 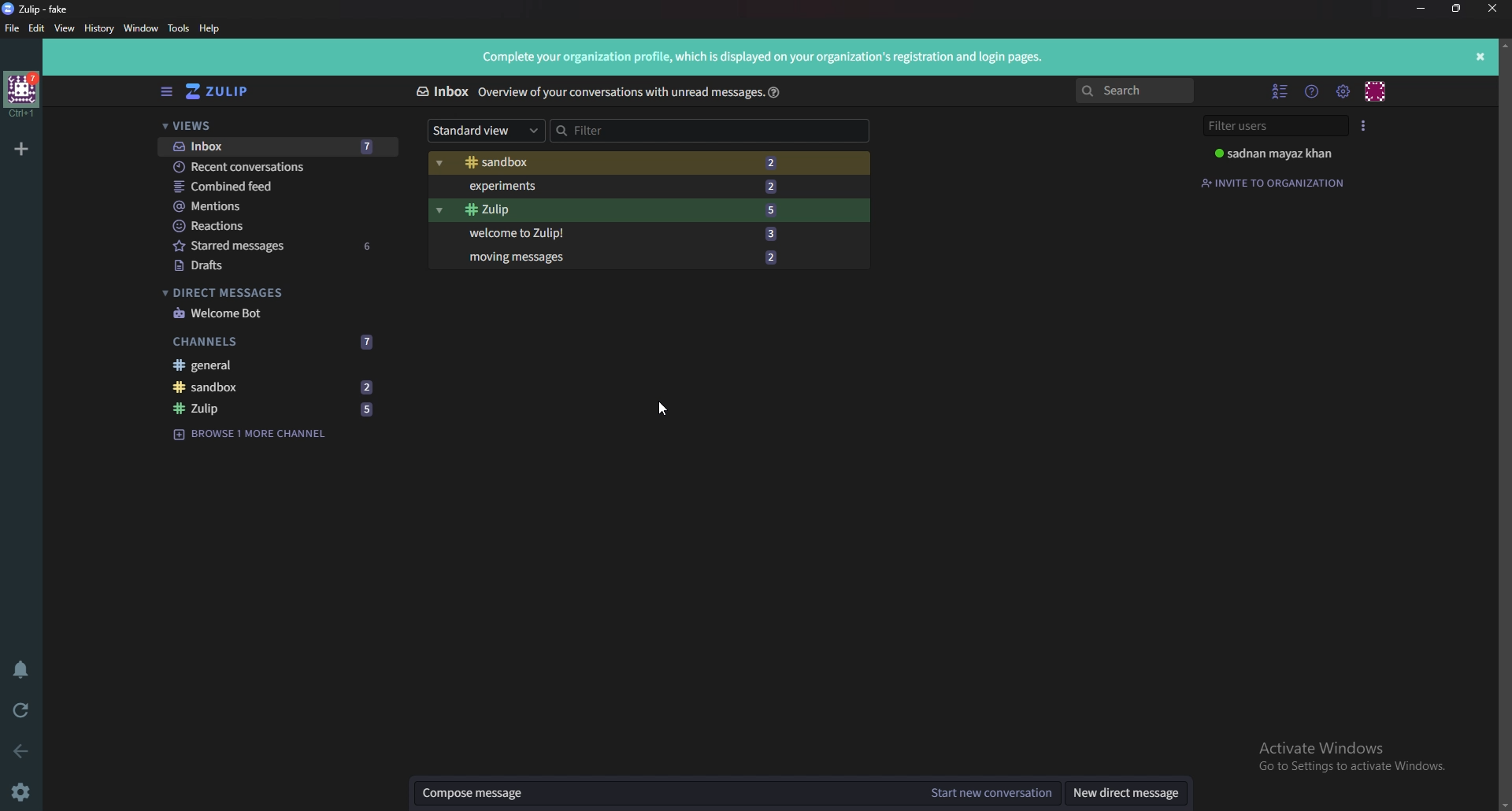 What do you see at coordinates (1503, 424) in the screenshot?
I see `scroll bar` at bounding box center [1503, 424].